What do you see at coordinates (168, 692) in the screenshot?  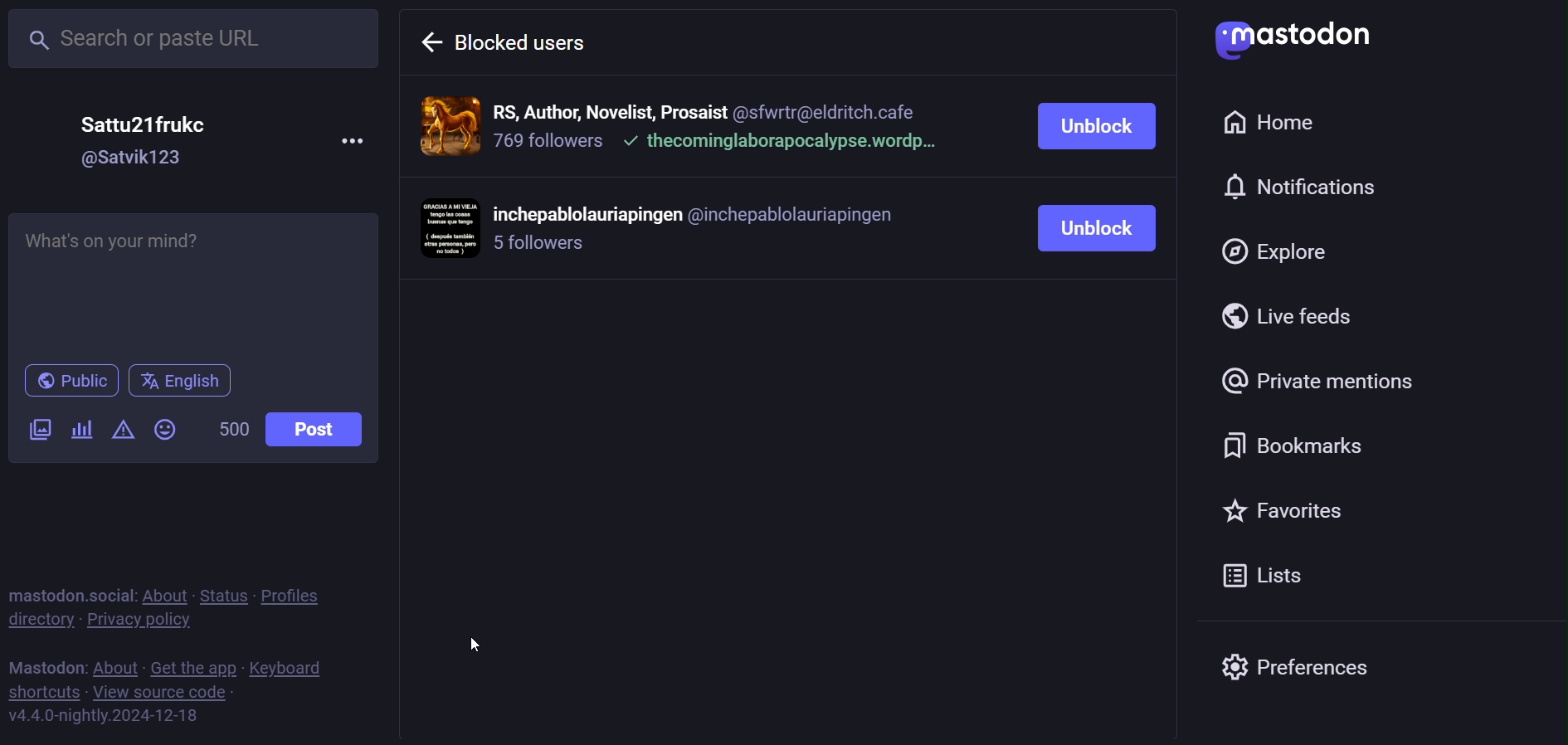 I see `view source code` at bounding box center [168, 692].